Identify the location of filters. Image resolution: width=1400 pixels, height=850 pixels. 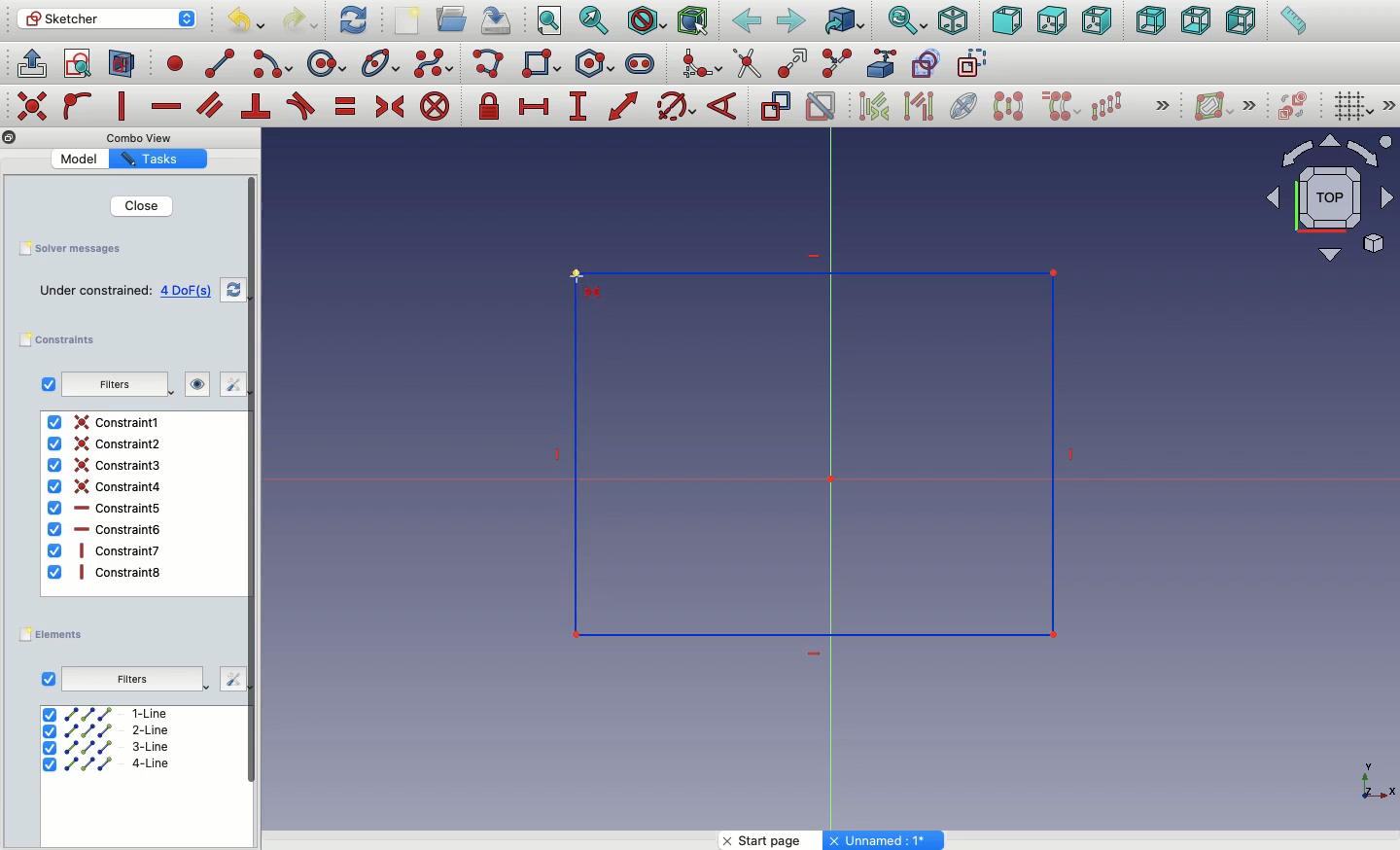
(112, 386).